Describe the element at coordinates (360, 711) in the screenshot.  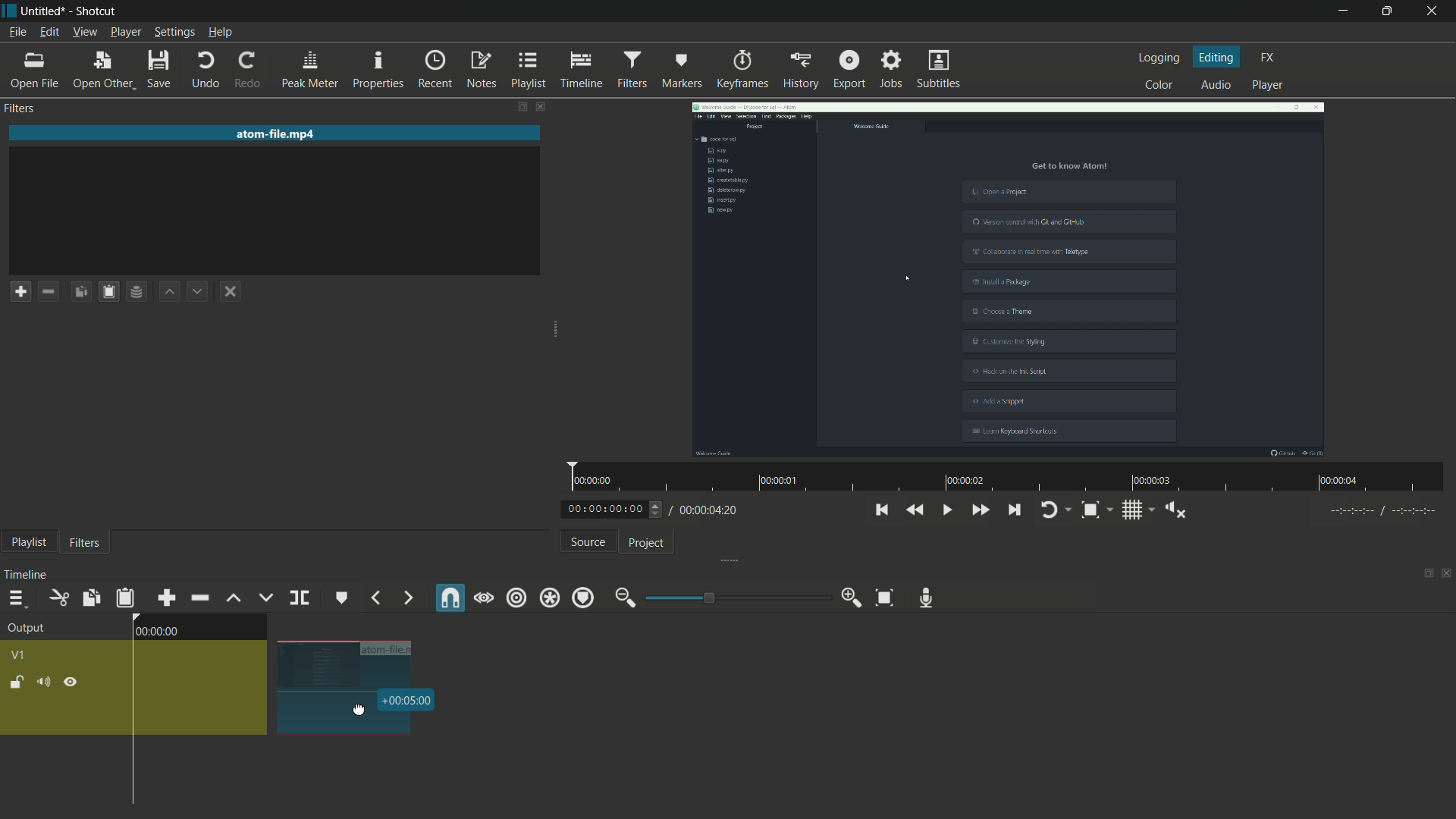
I see `cursor` at that location.